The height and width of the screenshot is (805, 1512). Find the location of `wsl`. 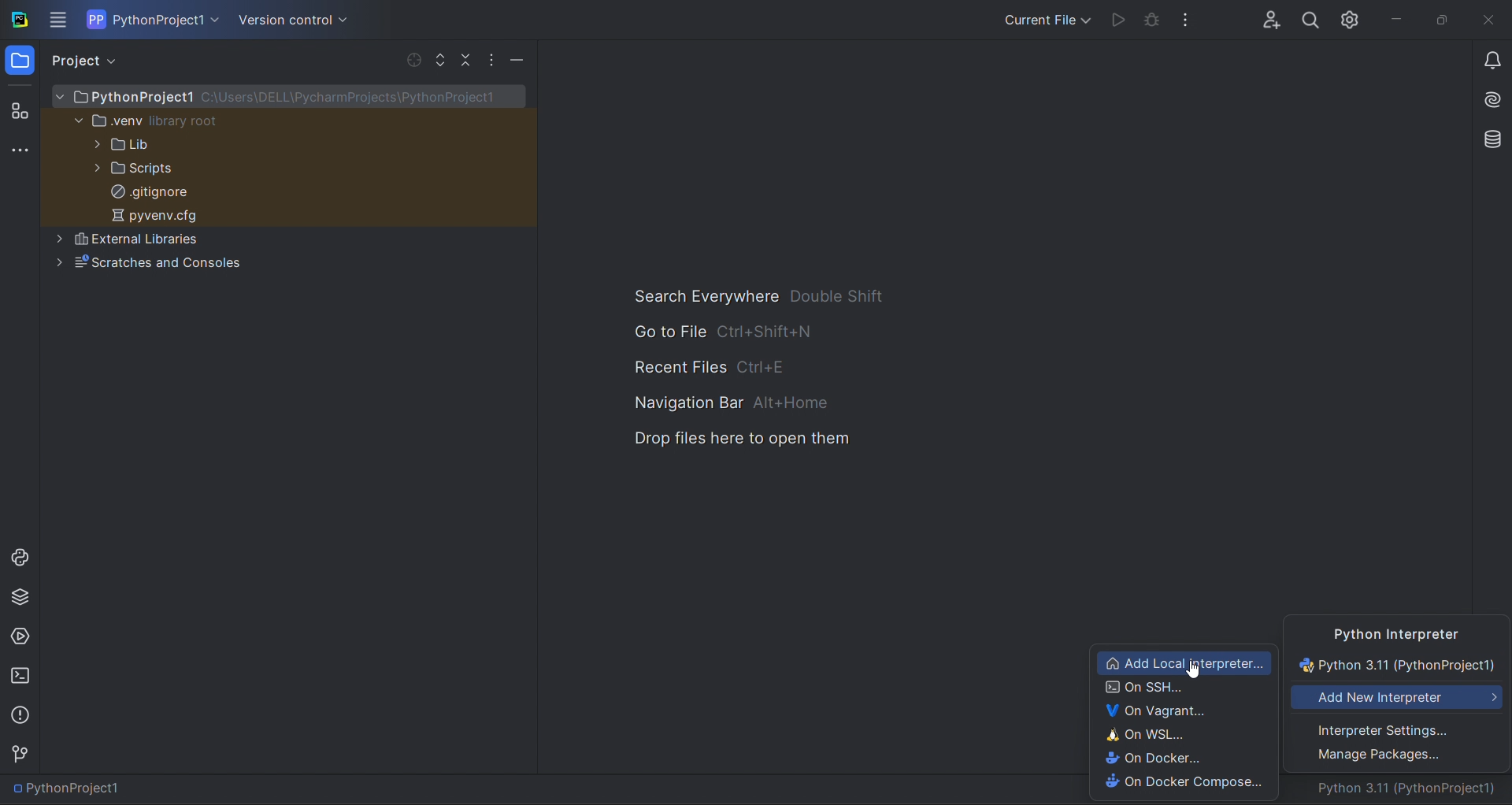

wsl is located at coordinates (1177, 733).